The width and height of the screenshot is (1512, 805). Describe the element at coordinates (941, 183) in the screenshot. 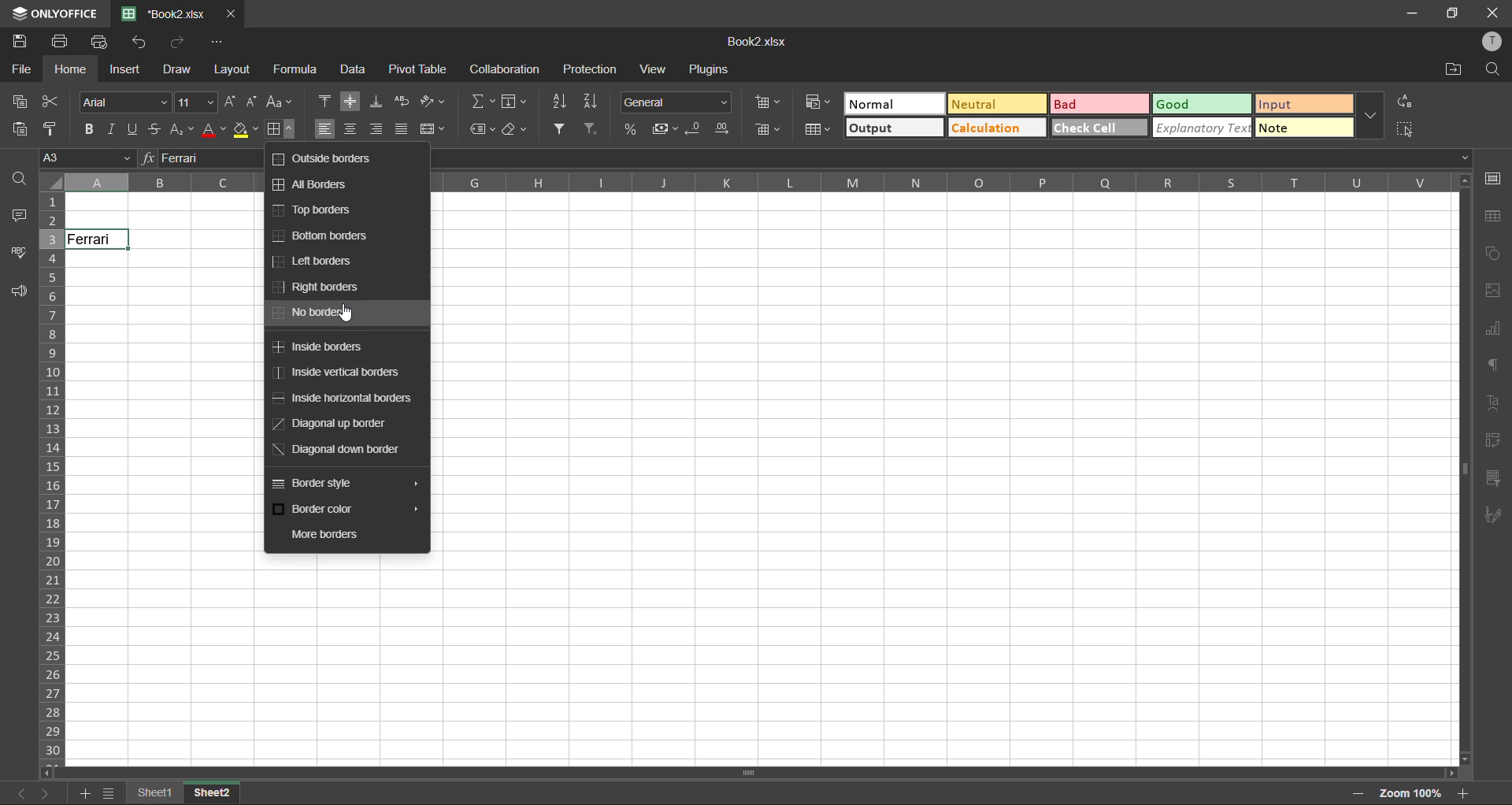

I see `column names` at that location.